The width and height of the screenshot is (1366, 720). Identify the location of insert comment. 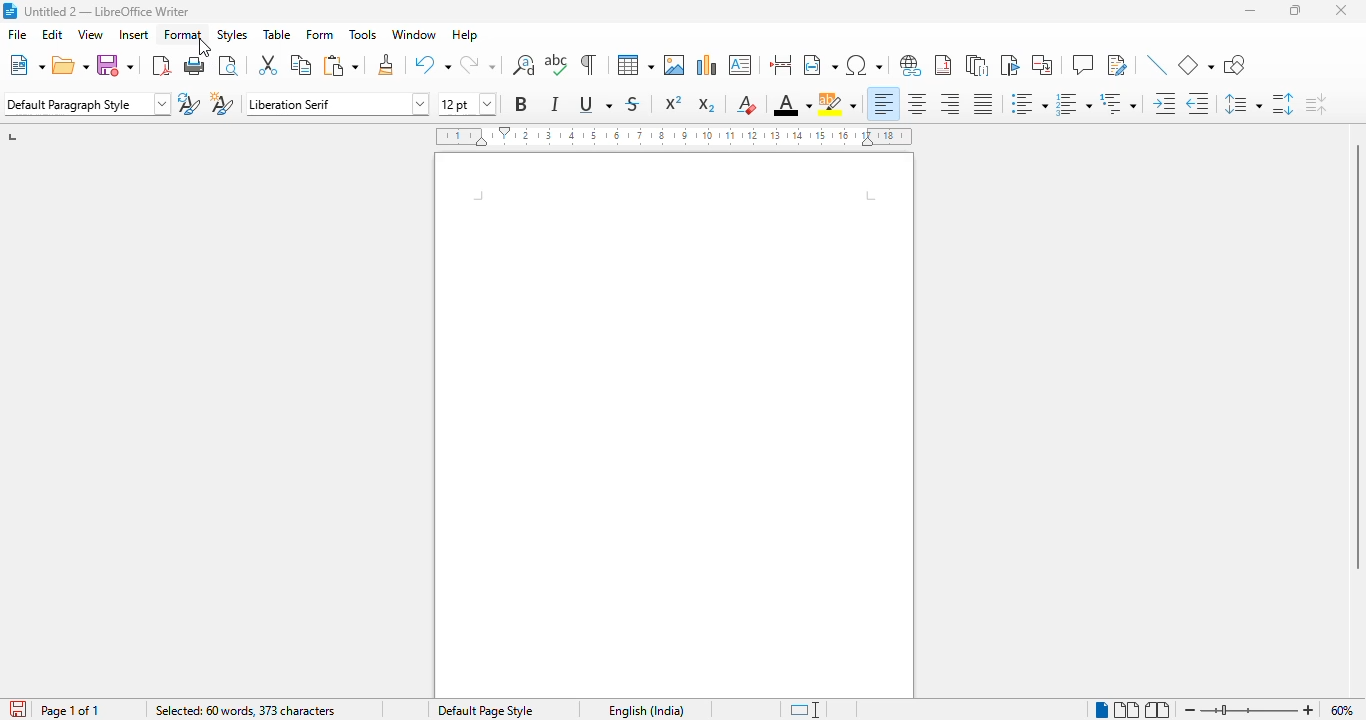
(1083, 64).